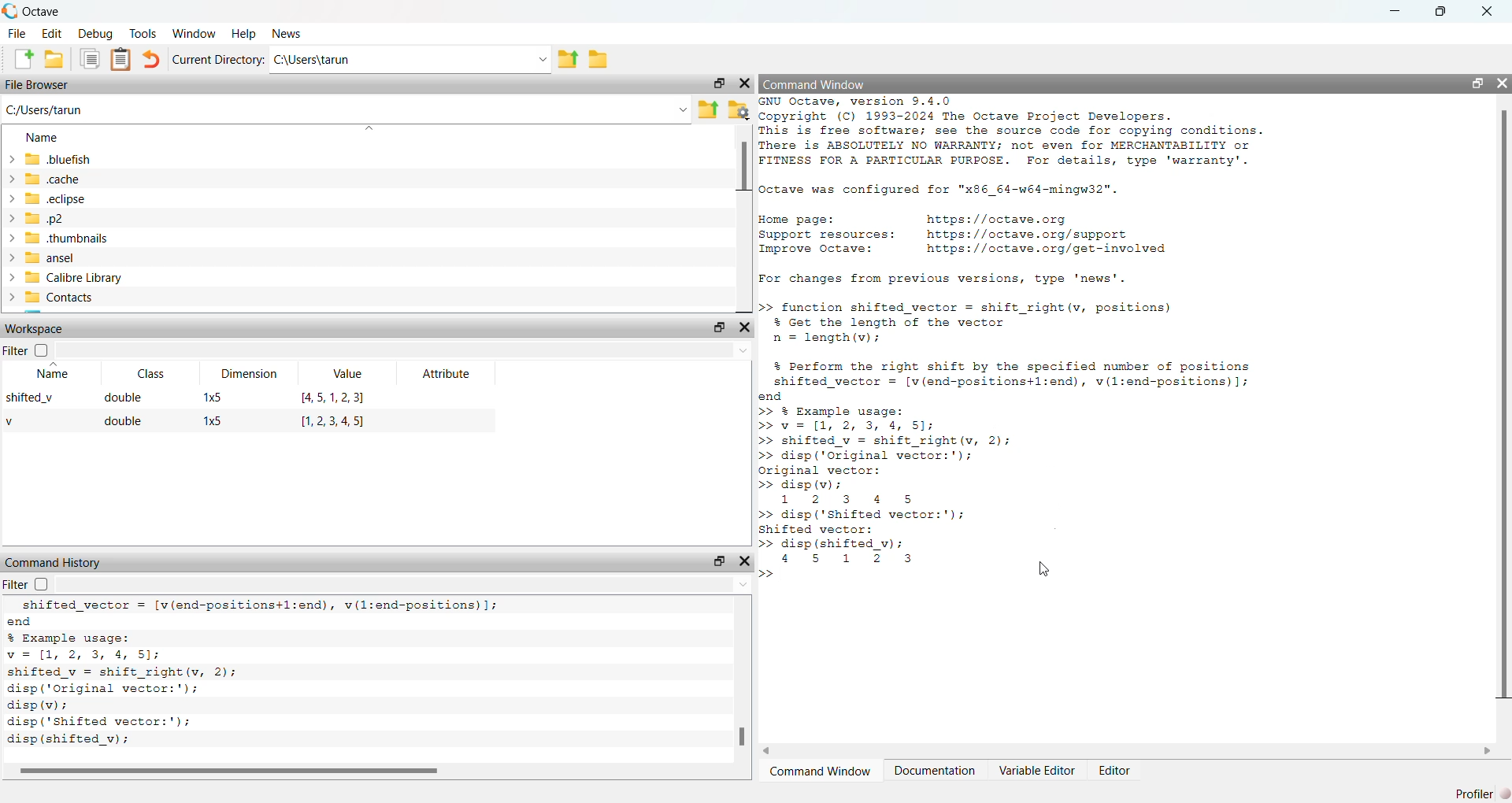  Describe the element at coordinates (1029, 375) in the screenshot. I see `% Perform the right shift by the specified number of positions
shifted_vector = [v(end-positions+l:end), v(l:end-positions)];` at that location.